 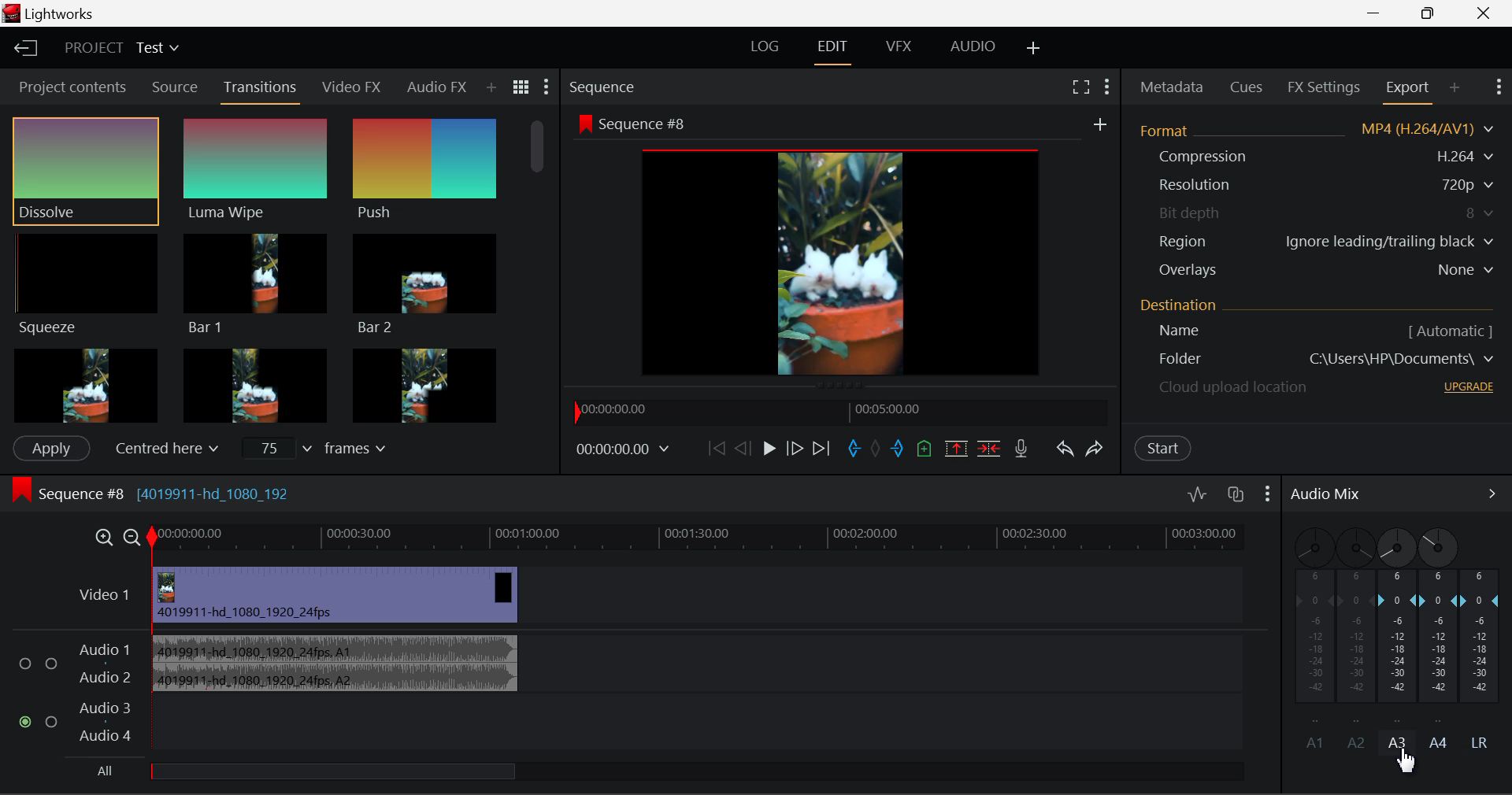 What do you see at coordinates (1373, 13) in the screenshot?
I see `Restore Down` at bounding box center [1373, 13].